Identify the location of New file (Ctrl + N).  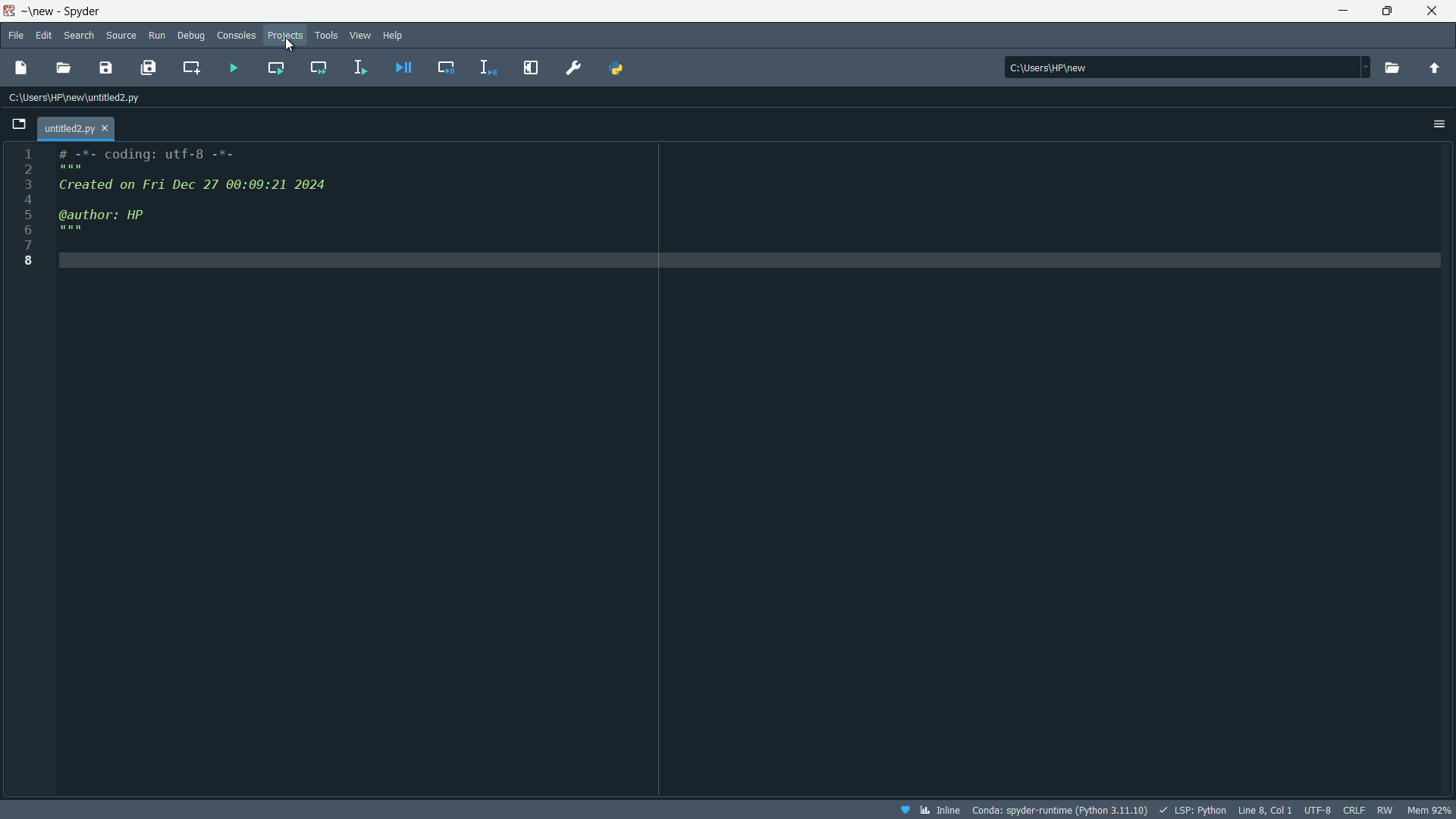
(24, 64).